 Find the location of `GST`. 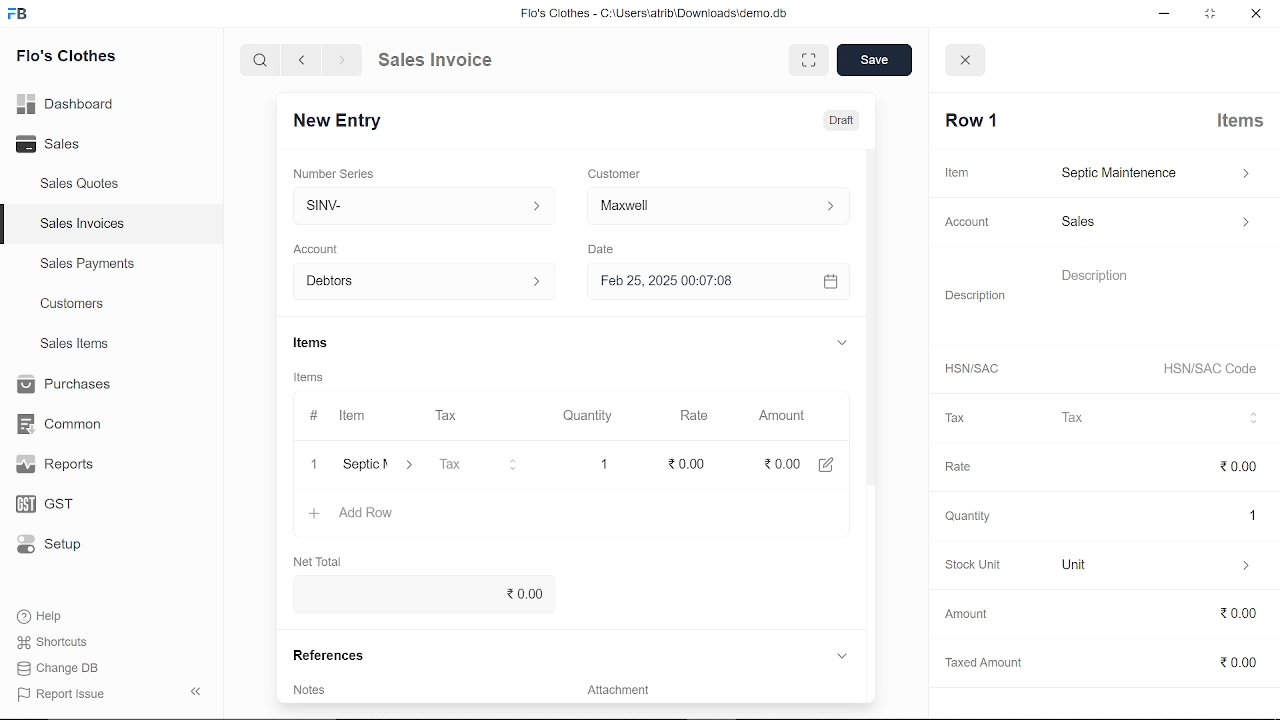

GST is located at coordinates (55, 501).